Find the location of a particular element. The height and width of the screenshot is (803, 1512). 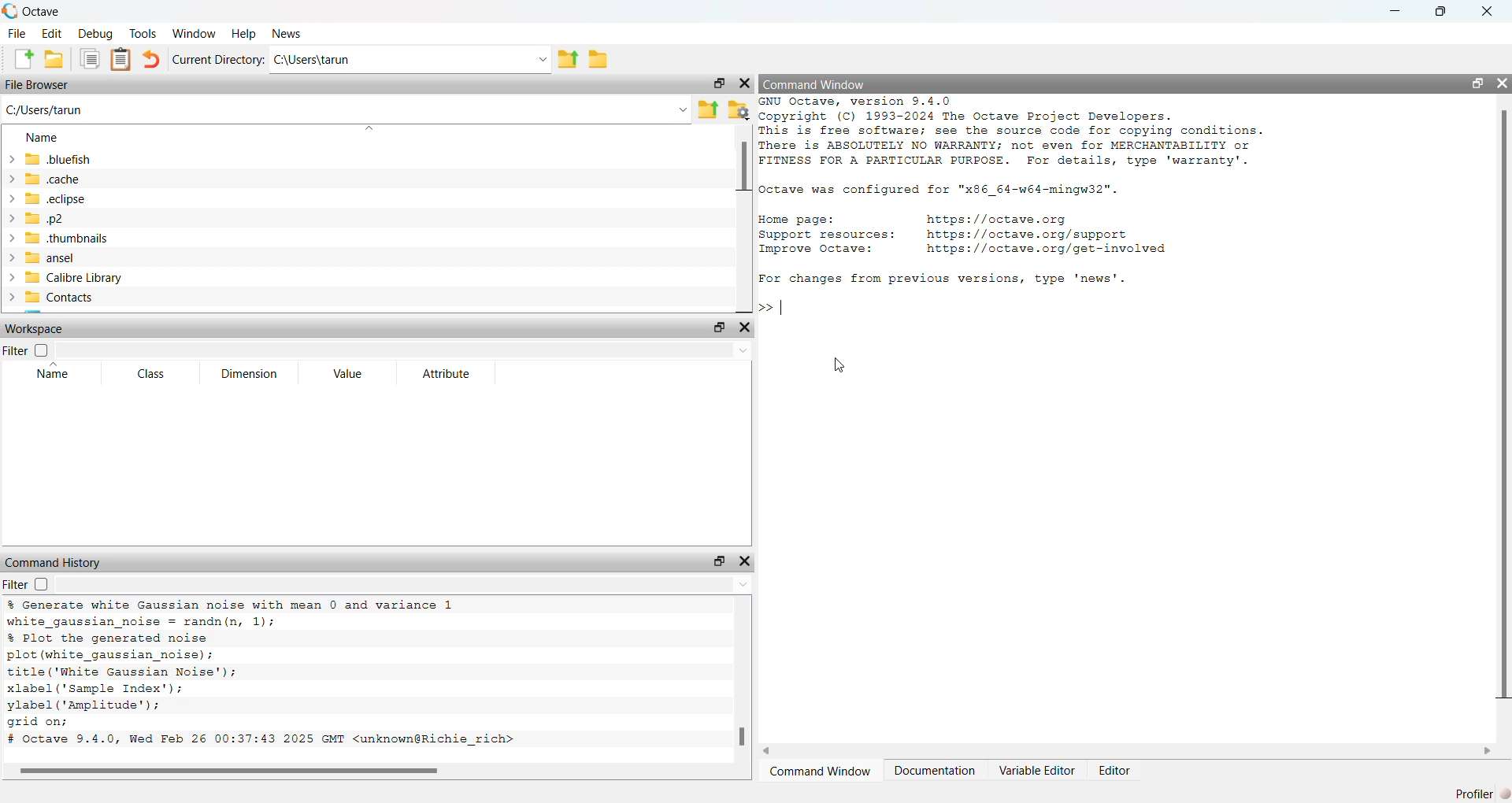

horizontal scroll bar is located at coordinates (1128, 750).